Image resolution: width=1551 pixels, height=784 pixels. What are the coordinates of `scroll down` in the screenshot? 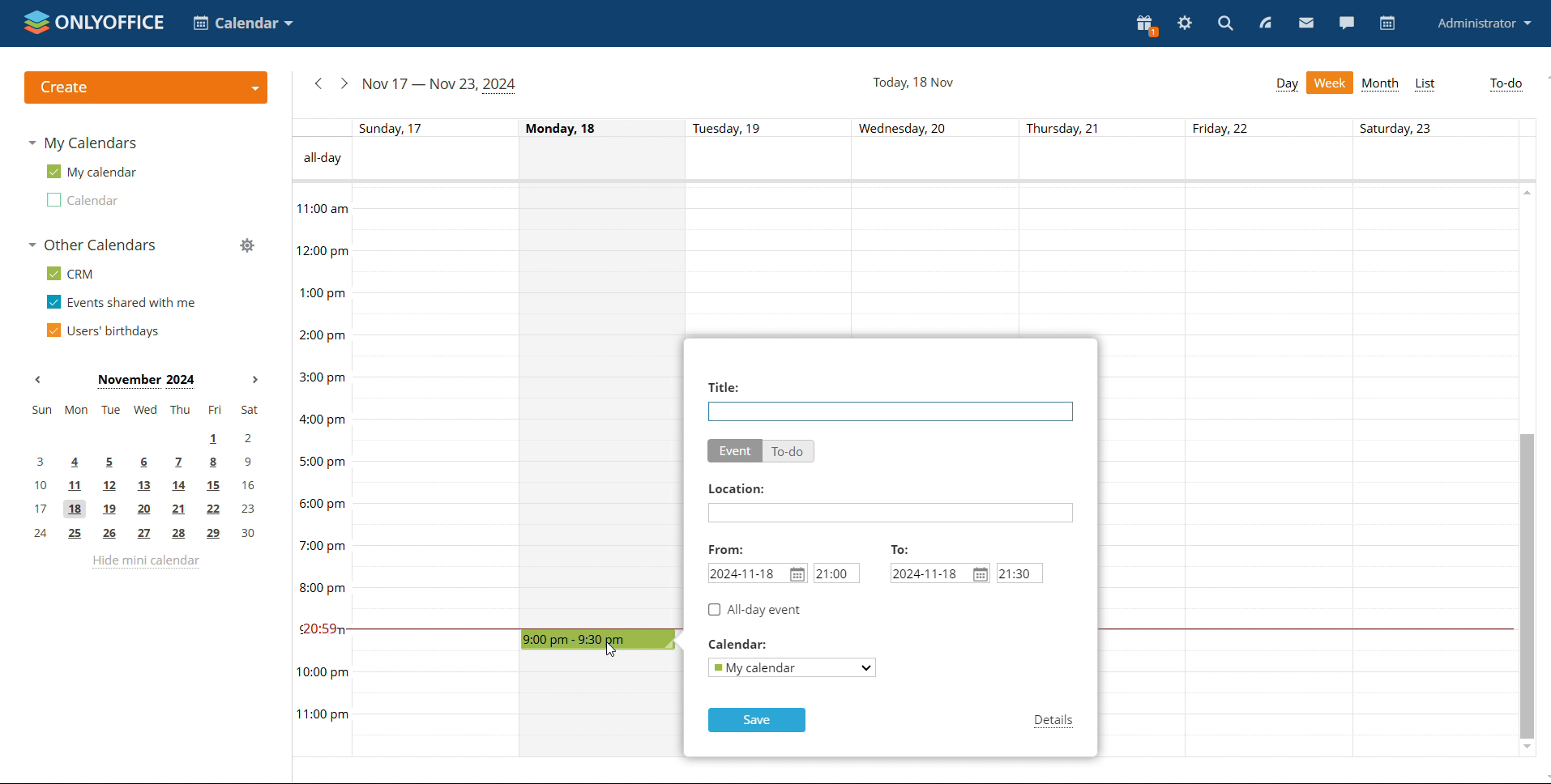 It's located at (1526, 748).